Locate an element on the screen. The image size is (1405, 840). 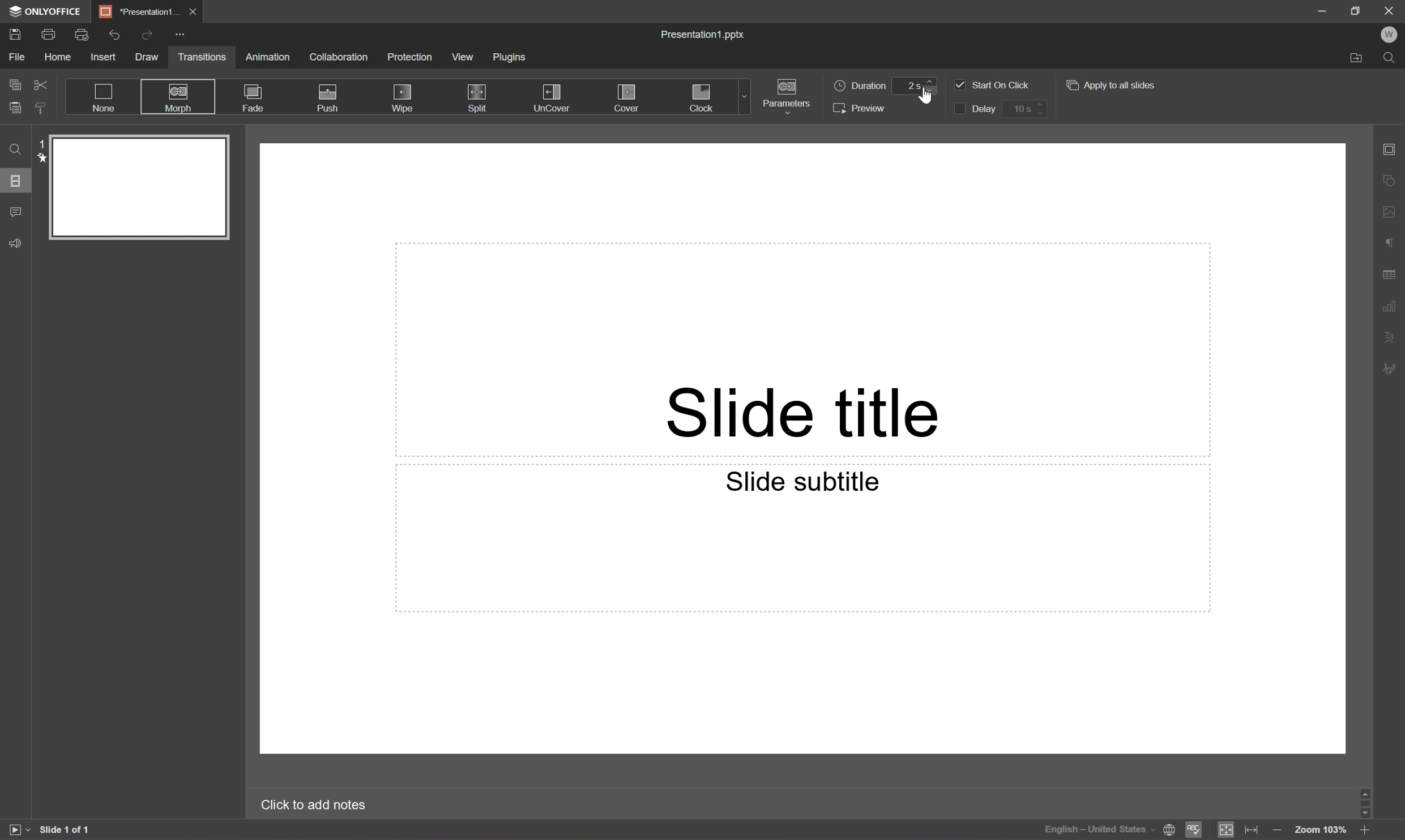
Image settings is located at coordinates (1390, 209).